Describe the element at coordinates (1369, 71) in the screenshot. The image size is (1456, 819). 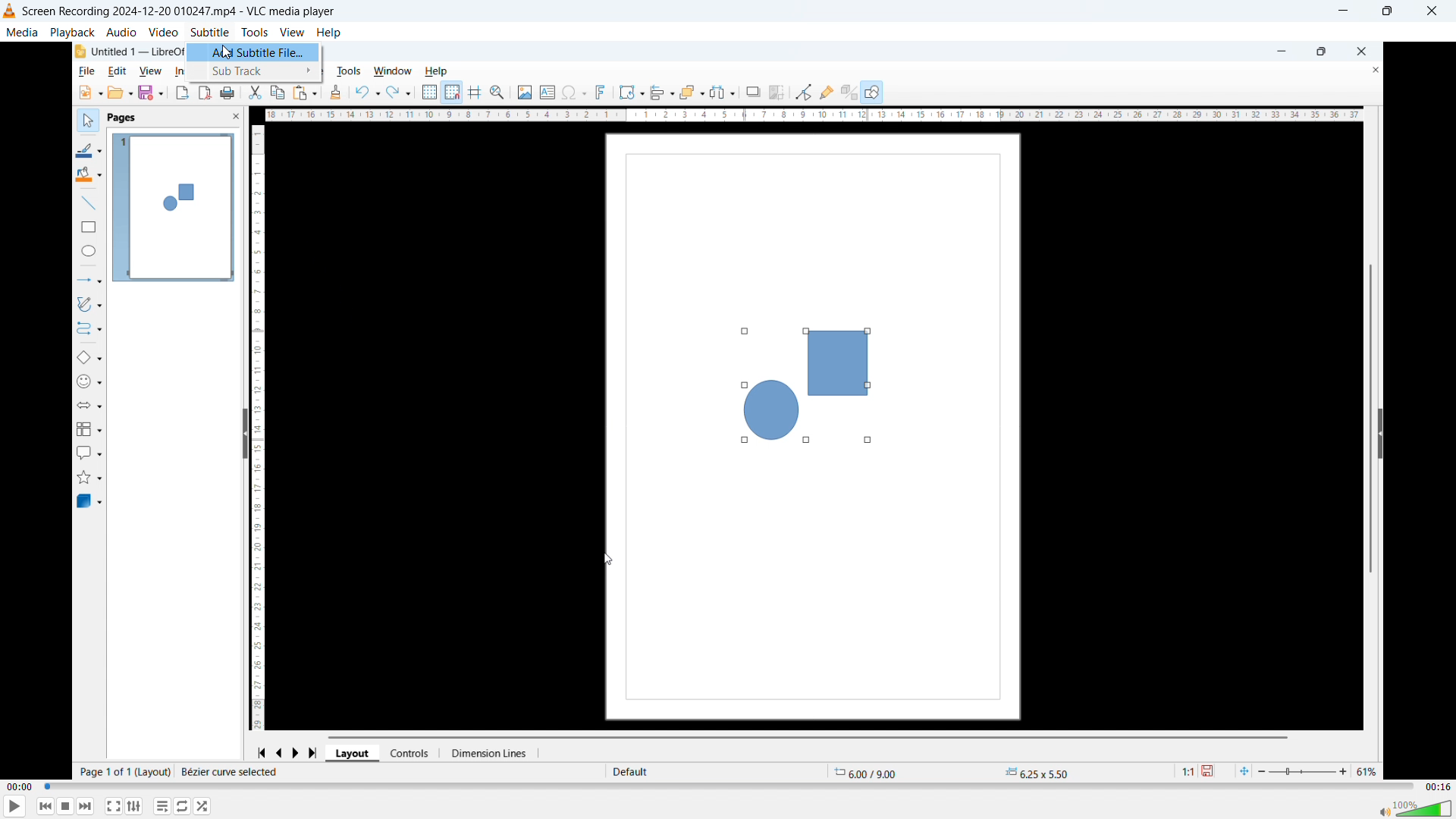
I see `close` at that location.